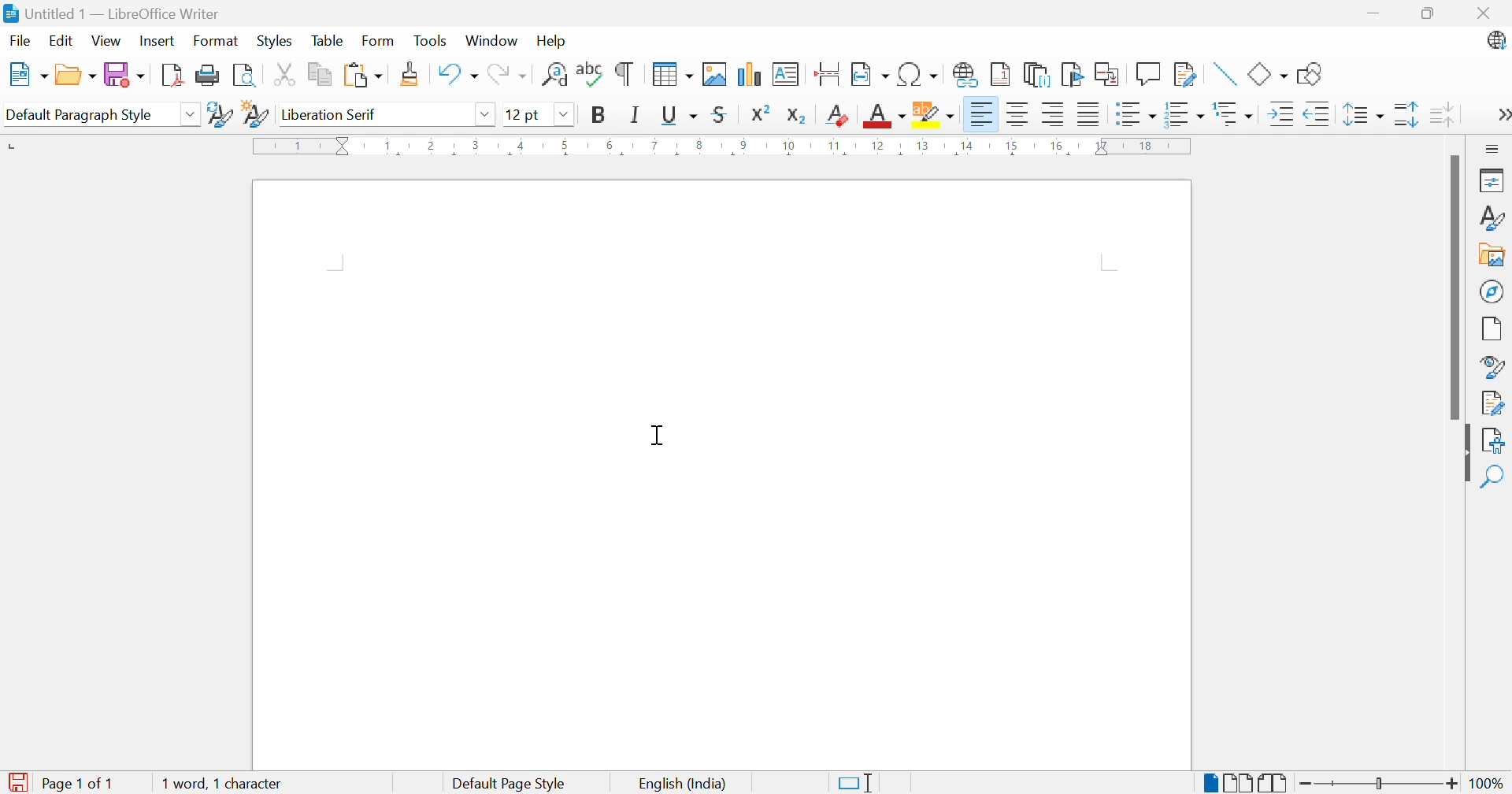 The height and width of the screenshot is (794, 1512). I want to click on Increase line spacing, so click(1406, 115).